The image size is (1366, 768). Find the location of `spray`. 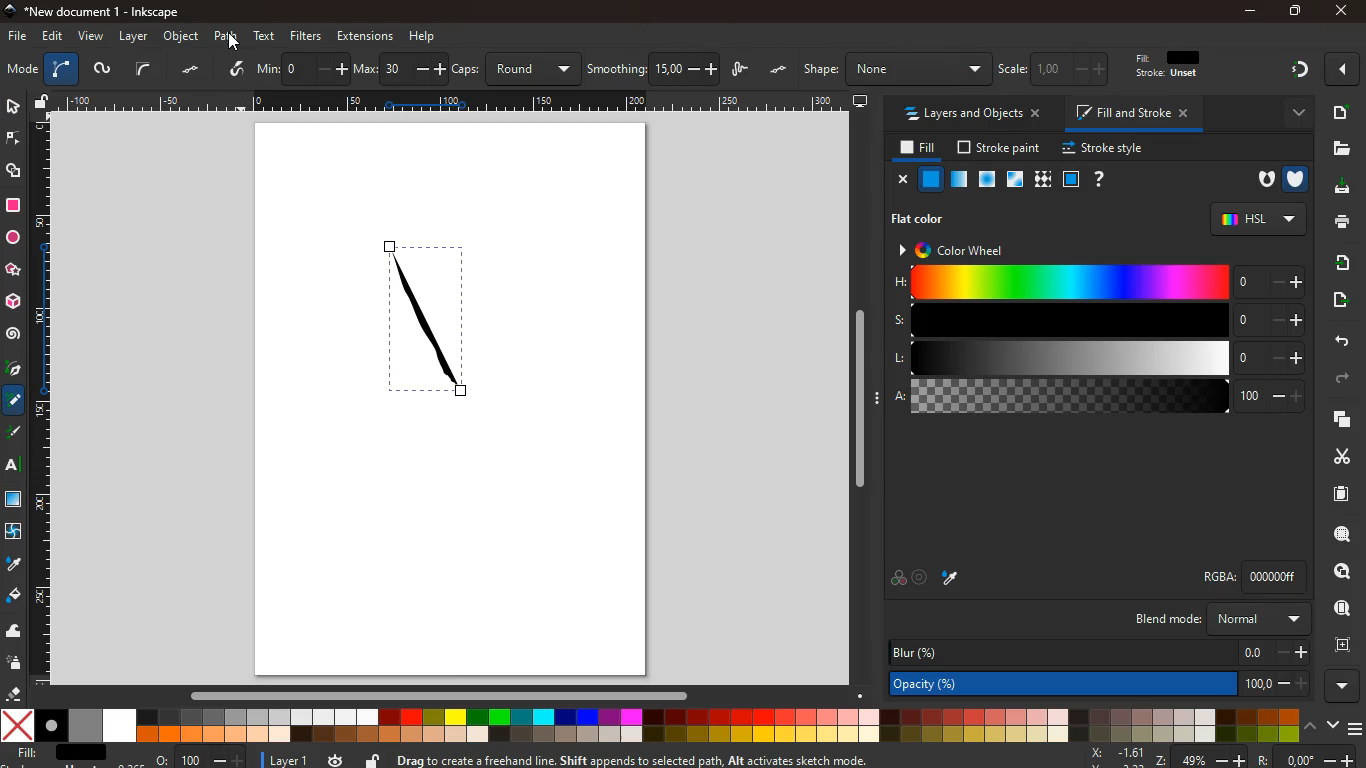

spray is located at coordinates (15, 664).